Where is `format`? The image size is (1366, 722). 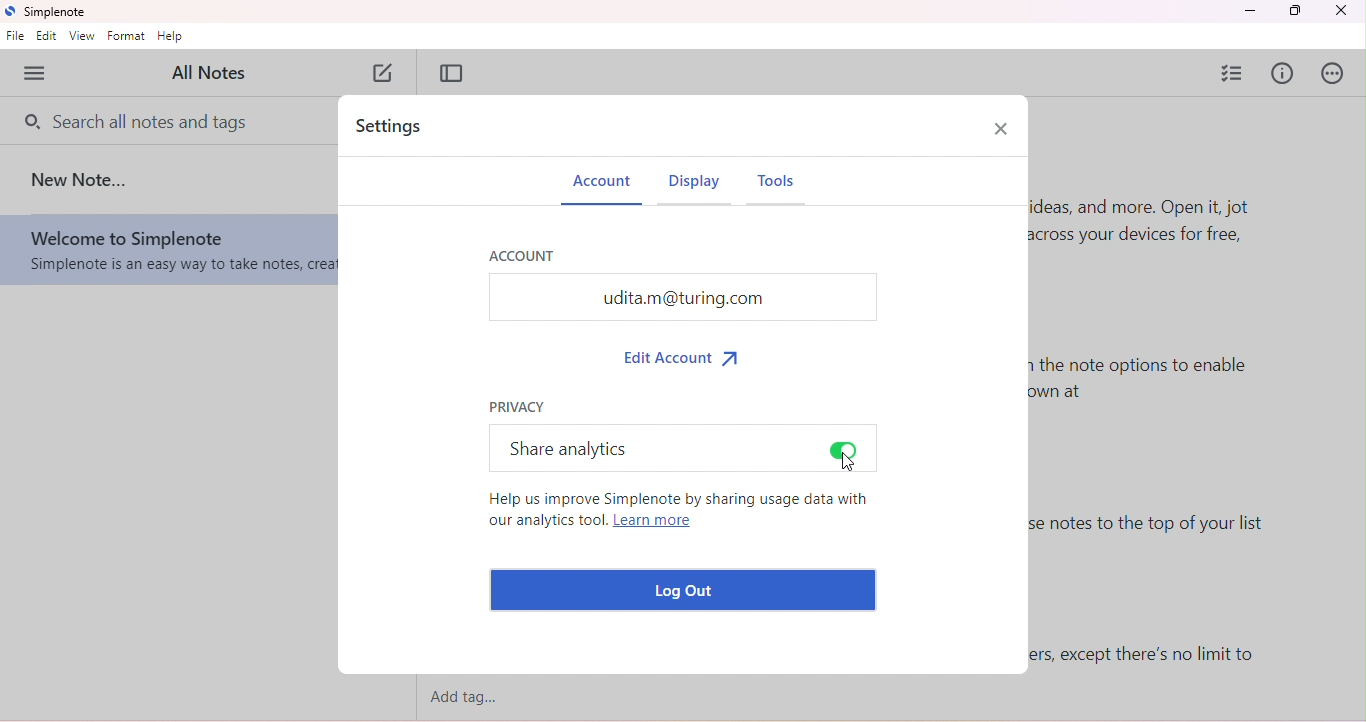
format is located at coordinates (126, 36).